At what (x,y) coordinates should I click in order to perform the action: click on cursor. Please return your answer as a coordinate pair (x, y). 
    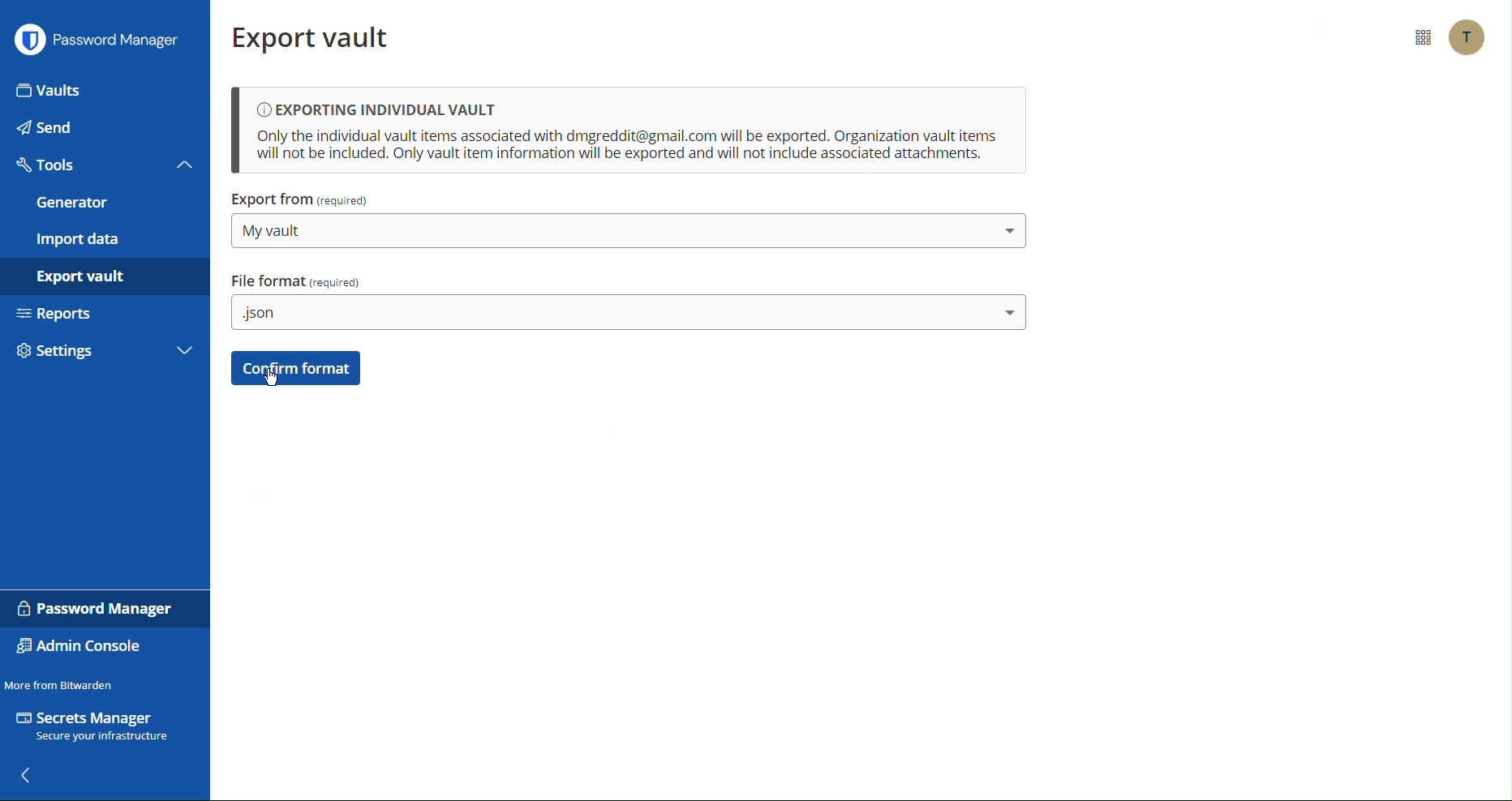
    Looking at the image, I should click on (266, 379).